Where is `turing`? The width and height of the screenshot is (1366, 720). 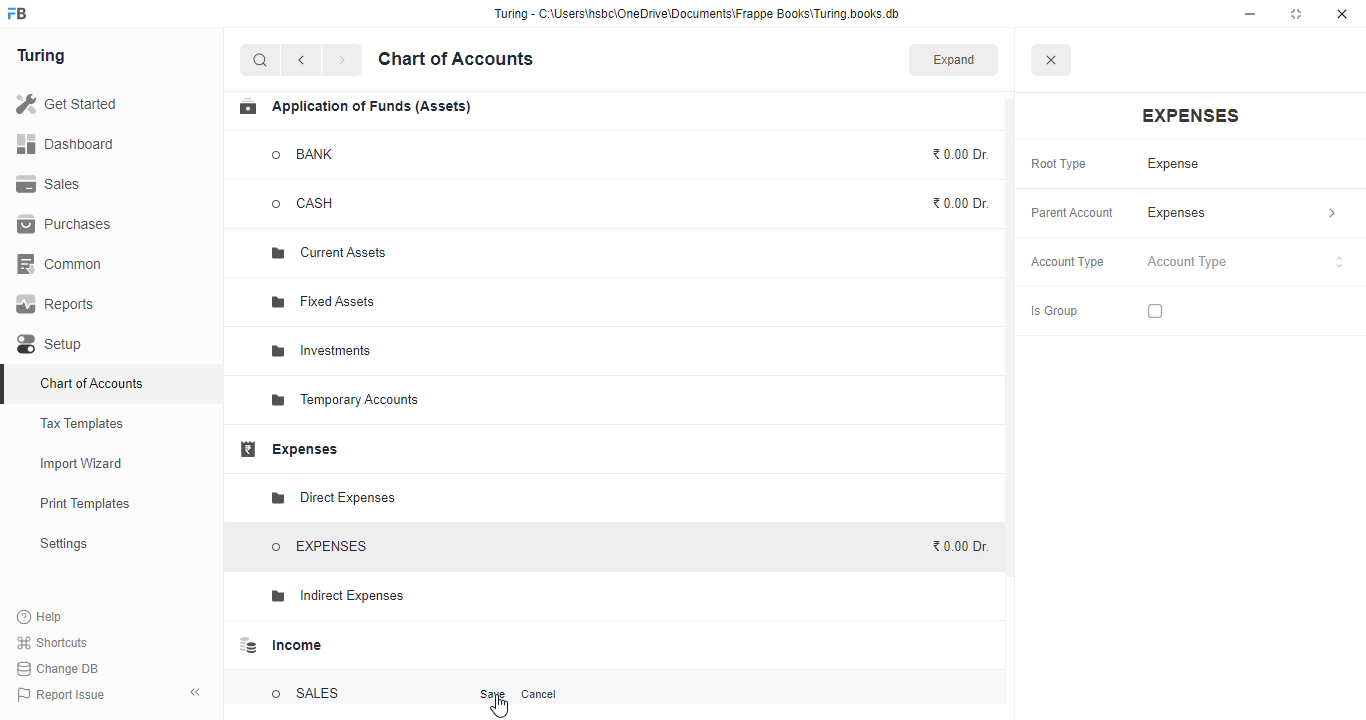 turing is located at coordinates (40, 56).